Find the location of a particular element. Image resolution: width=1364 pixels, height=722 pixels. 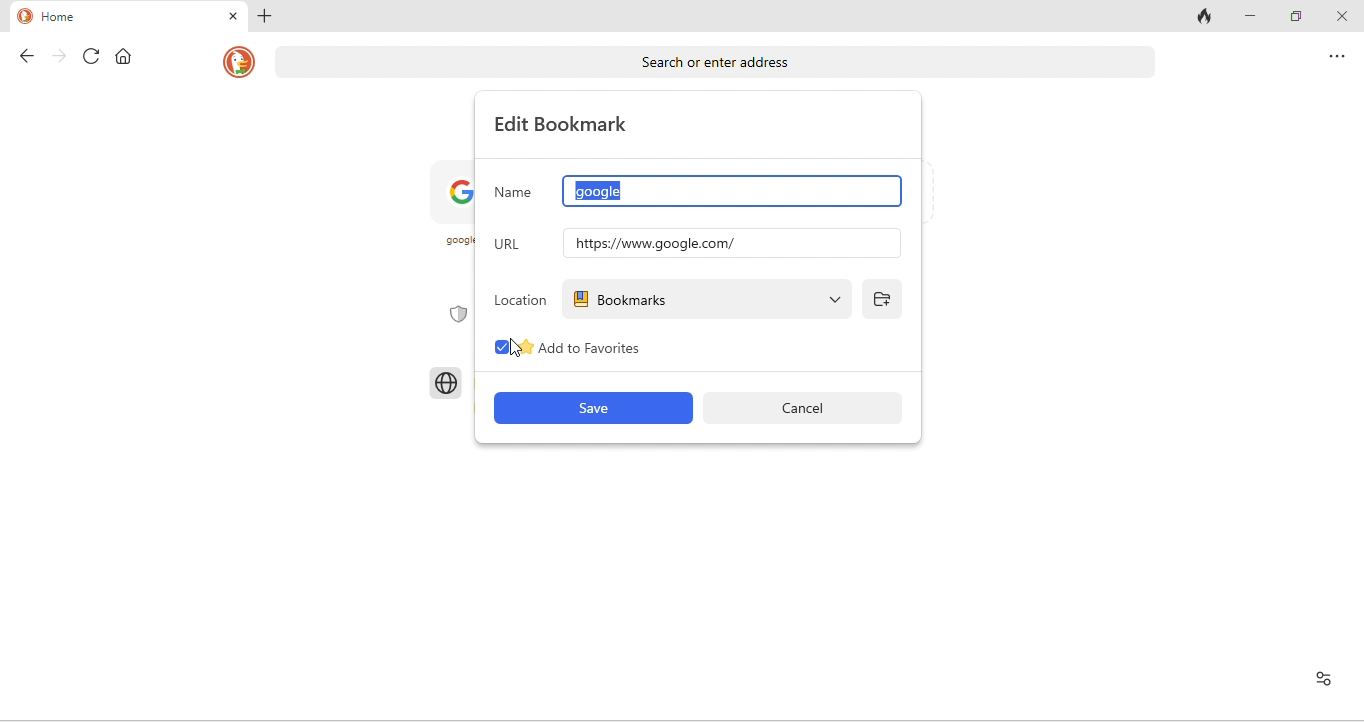

option is located at coordinates (1336, 60).